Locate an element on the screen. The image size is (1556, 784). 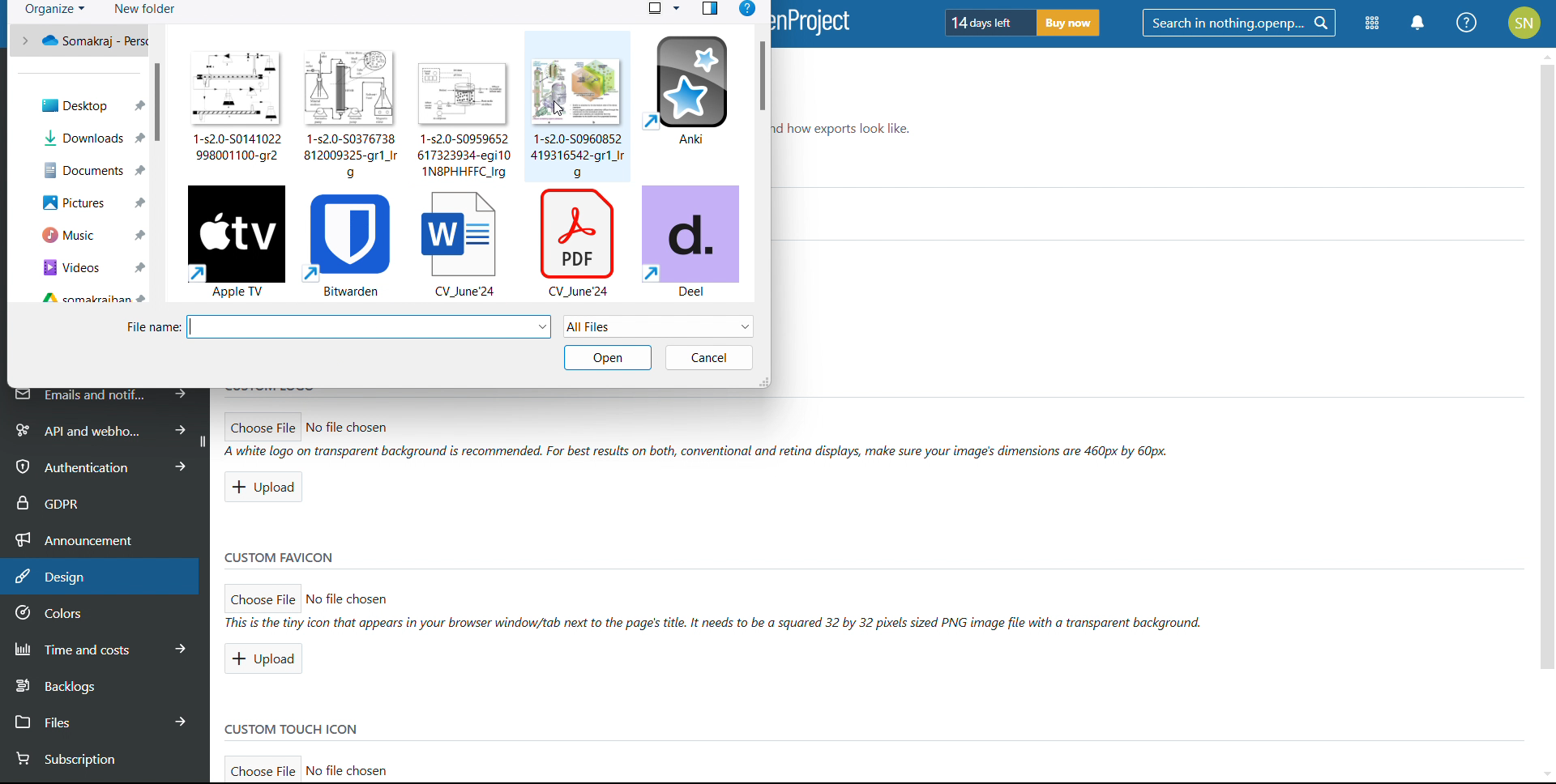
scrollbar is located at coordinates (158, 101).